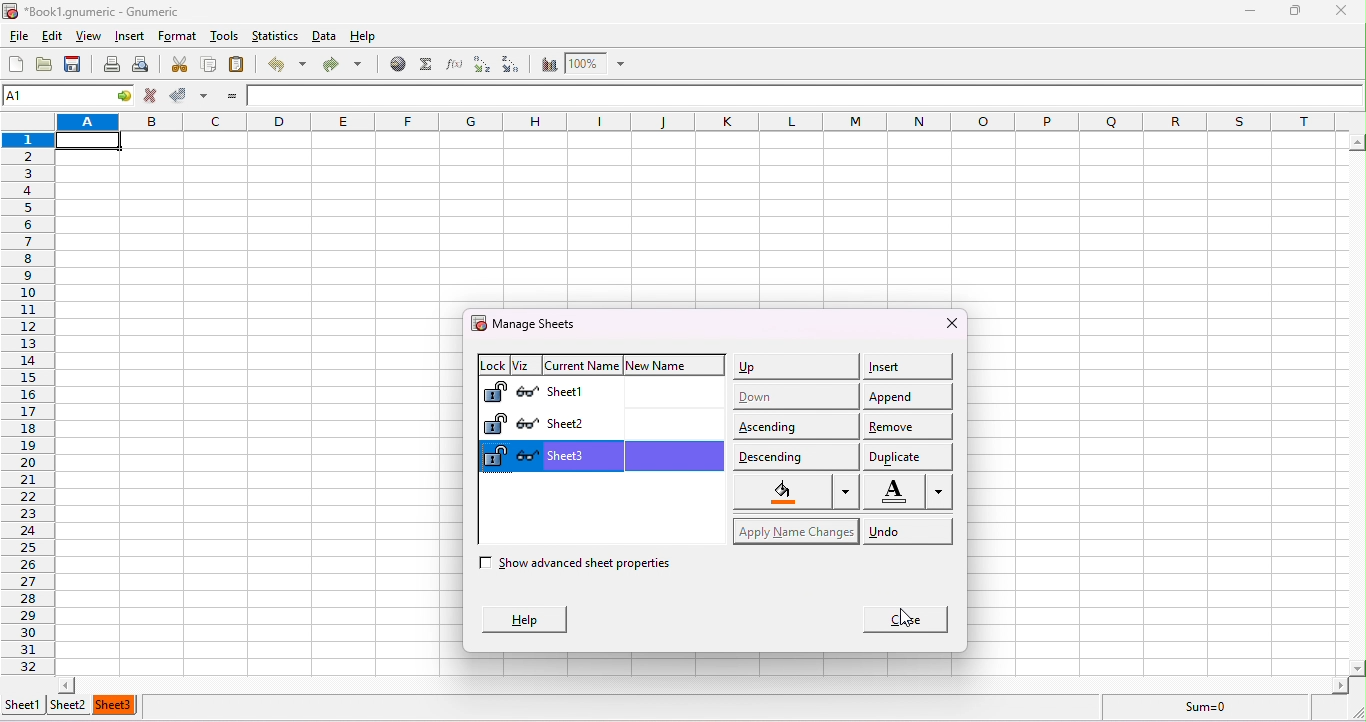 The width and height of the screenshot is (1366, 722). Describe the element at coordinates (190, 95) in the screenshot. I see `accept change` at that location.